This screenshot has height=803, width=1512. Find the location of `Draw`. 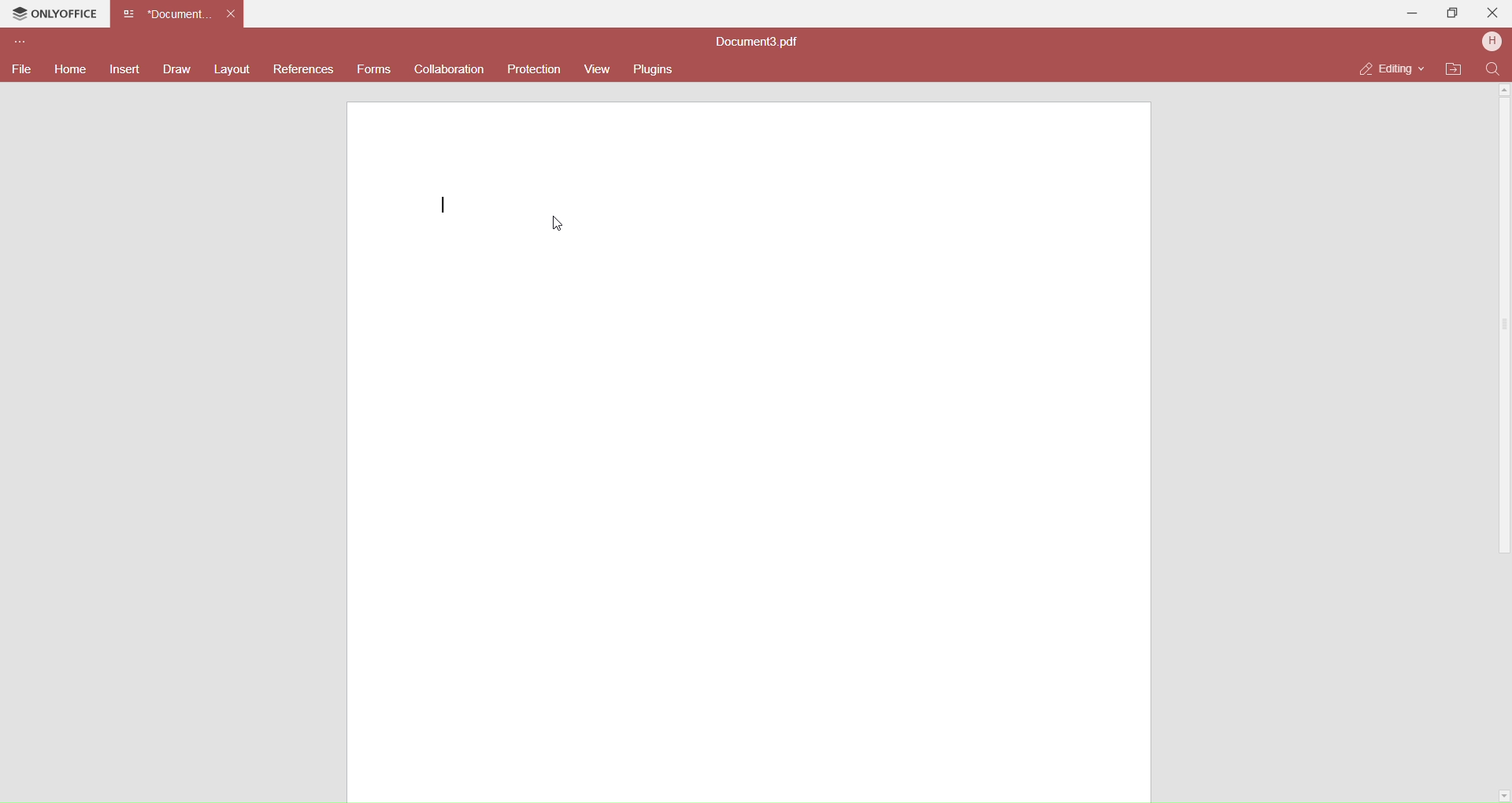

Draw is located at coordinates (176, 69).